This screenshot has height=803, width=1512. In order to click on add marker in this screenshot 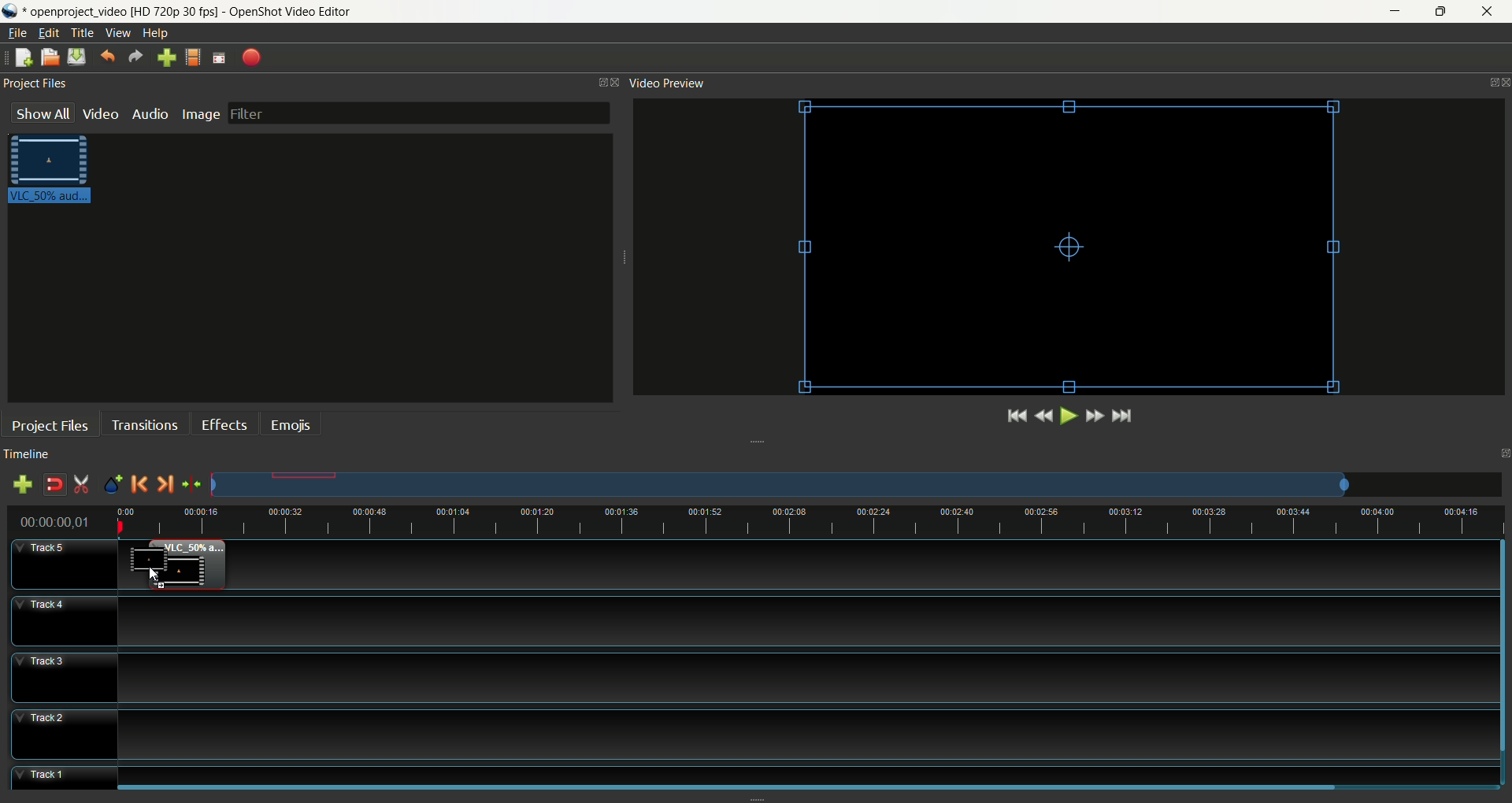, I will do `click(112, 483)`.